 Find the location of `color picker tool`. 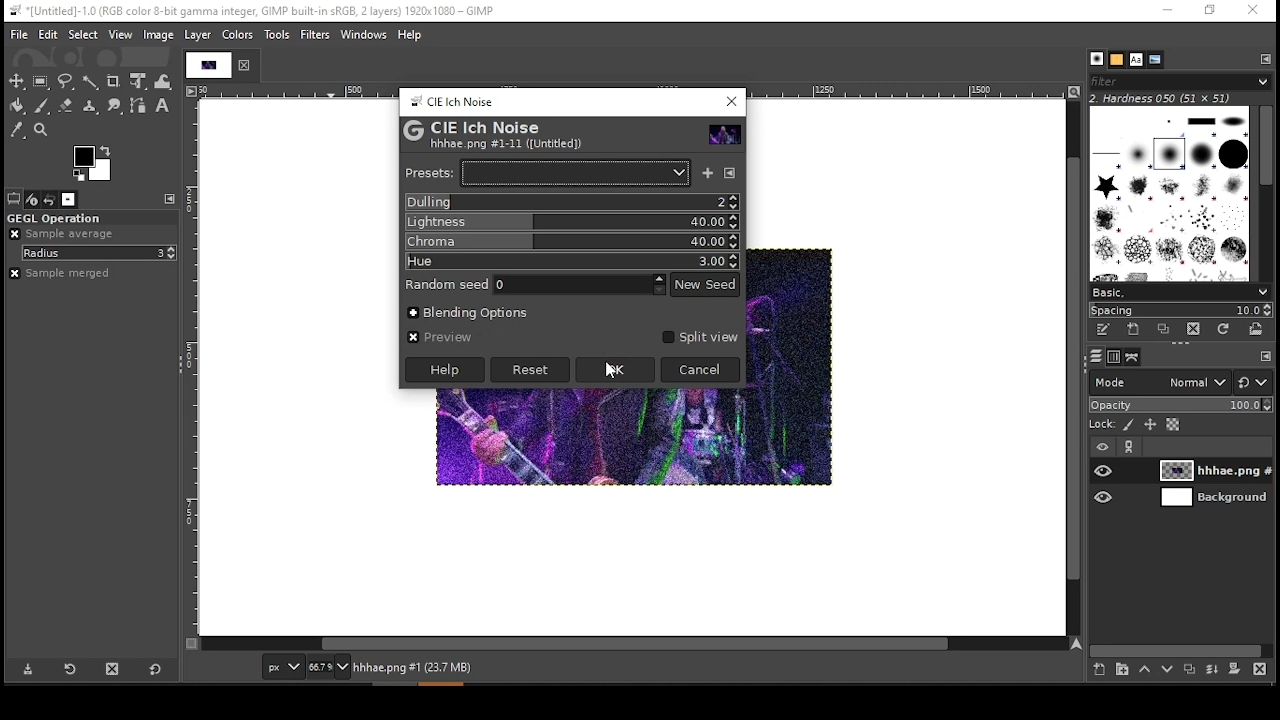

color picker tool is located at coordinates (18, 130).